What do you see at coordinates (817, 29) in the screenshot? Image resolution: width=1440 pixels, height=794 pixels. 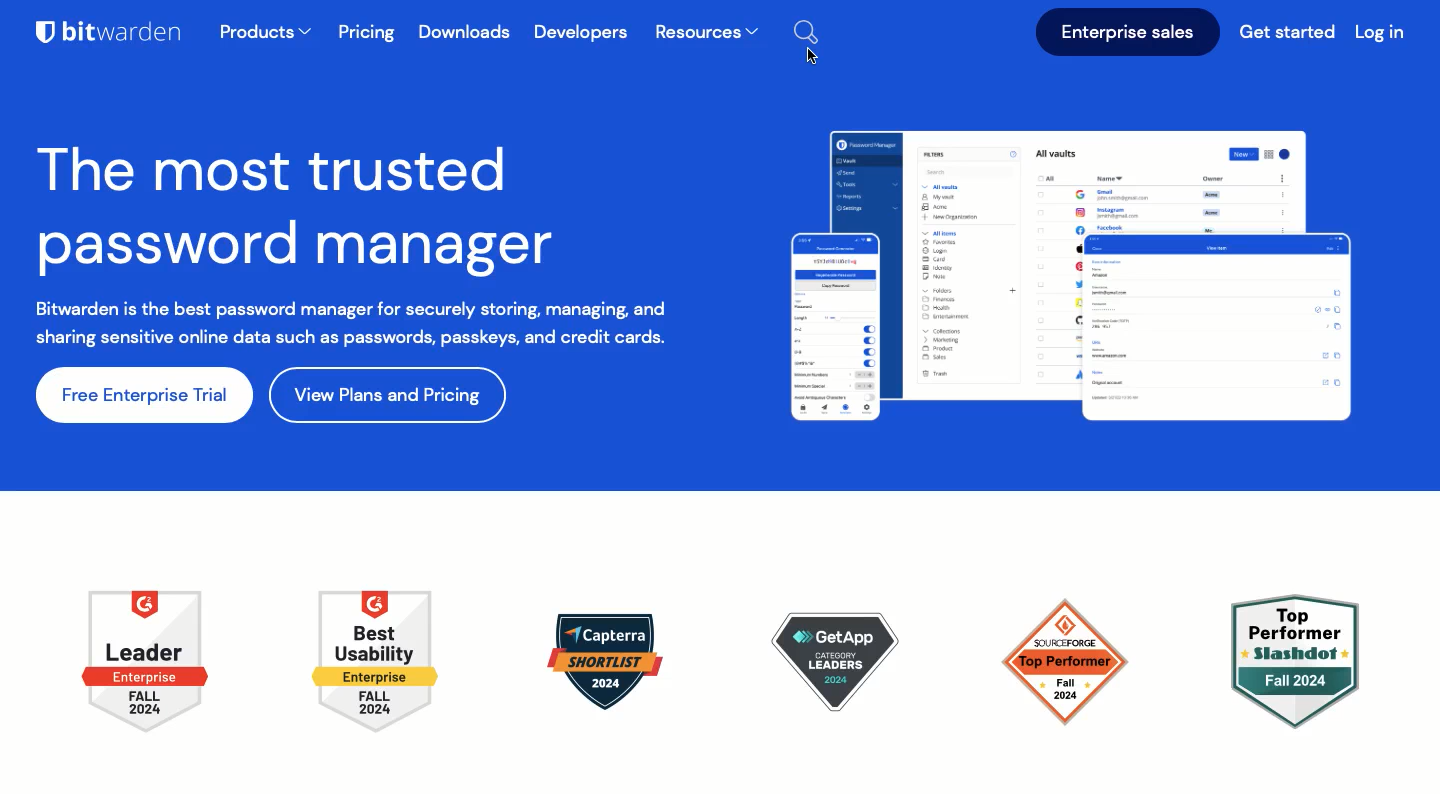 I see `Search` at bounding box center [817, 29].